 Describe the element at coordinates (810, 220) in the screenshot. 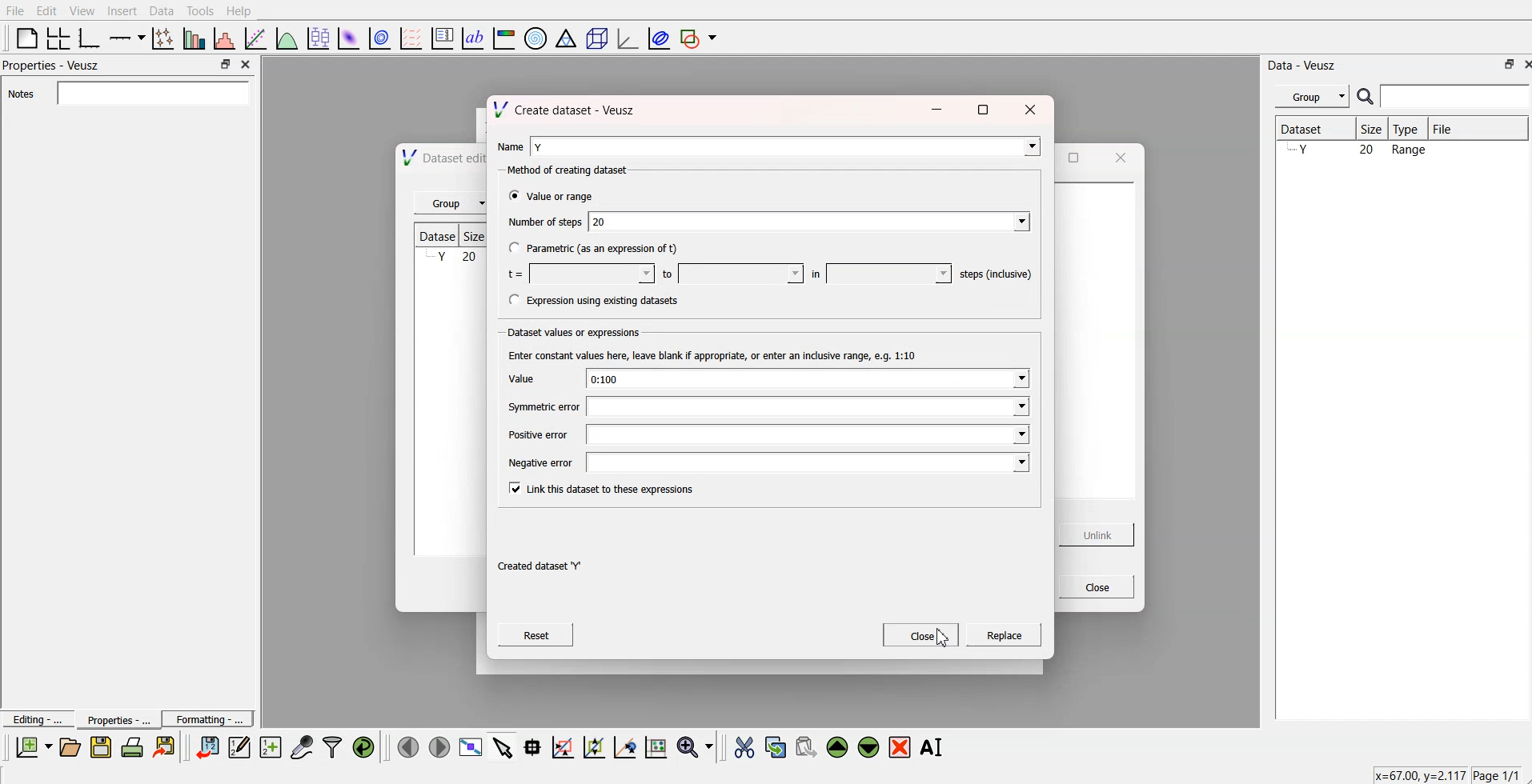

I see `20` at that location.